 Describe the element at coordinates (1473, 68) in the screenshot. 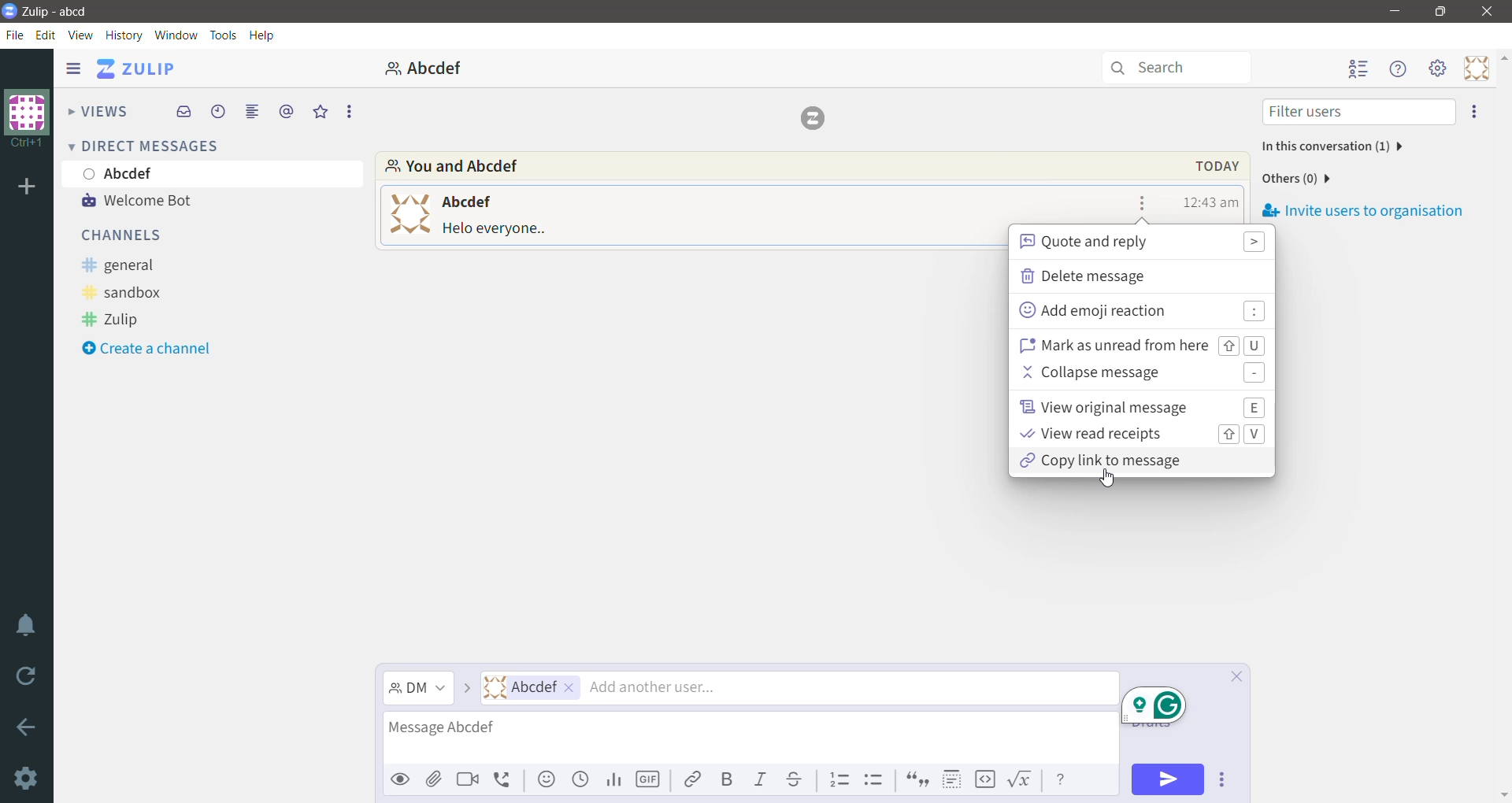

I see `Personal Menu` at that location.